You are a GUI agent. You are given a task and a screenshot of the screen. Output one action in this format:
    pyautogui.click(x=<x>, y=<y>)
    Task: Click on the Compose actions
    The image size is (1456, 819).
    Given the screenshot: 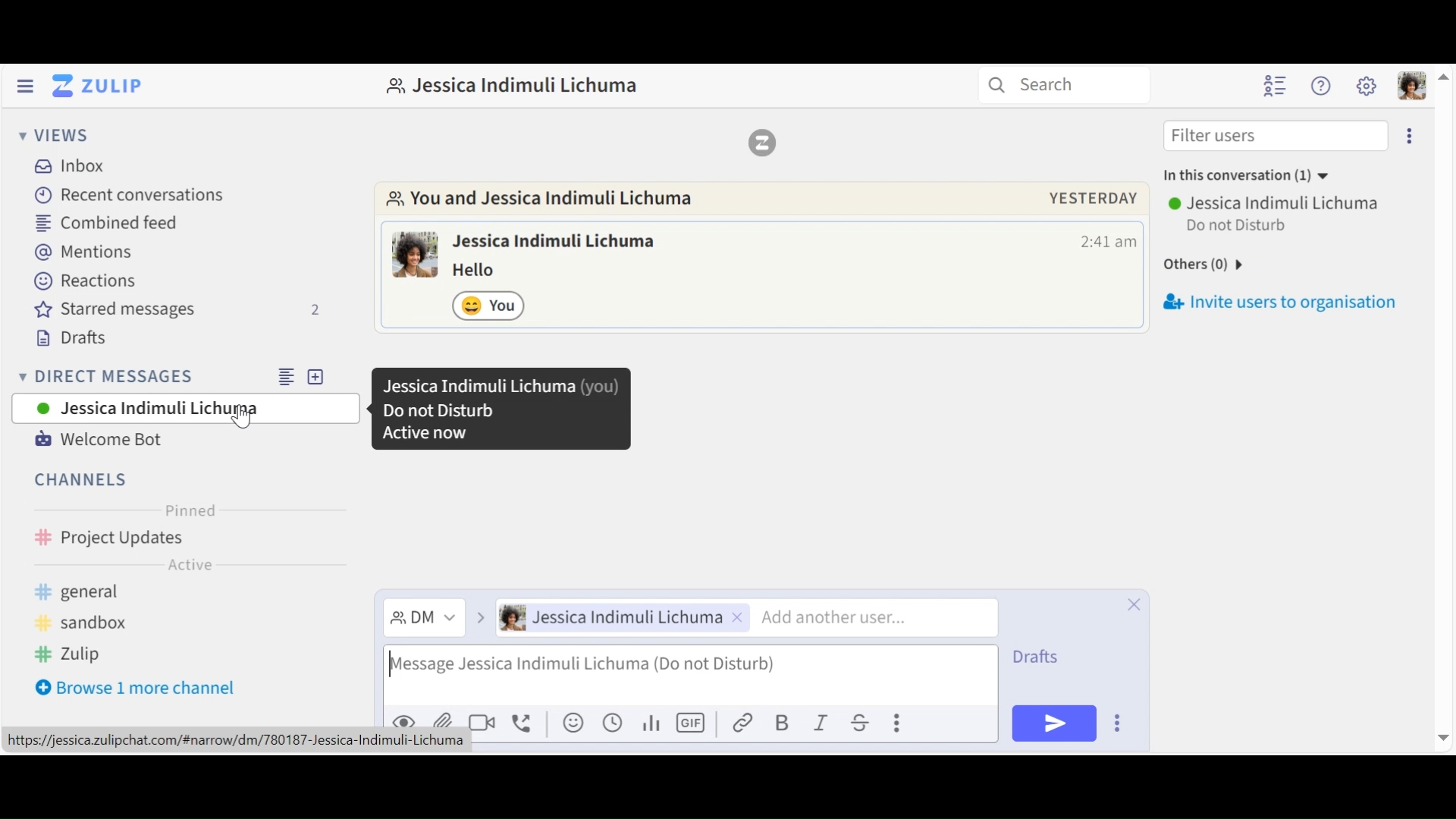 What is the action you would take?
    pyautogui.click(x=896, y=720)
    